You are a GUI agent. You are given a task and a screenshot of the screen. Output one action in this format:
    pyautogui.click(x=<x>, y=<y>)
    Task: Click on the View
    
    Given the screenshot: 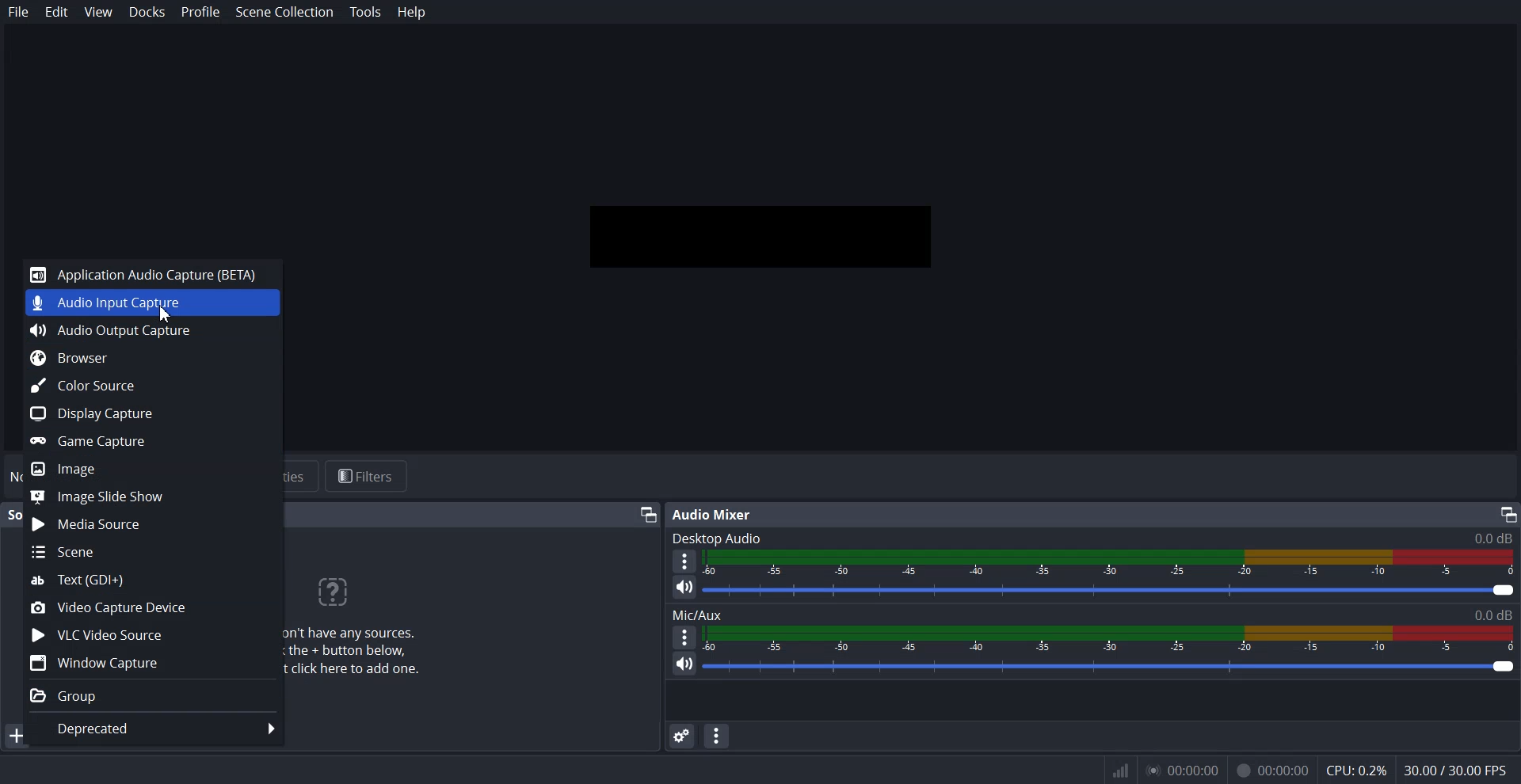 What is the action you would take?
    pyautogui.click(x=97, y=11)
    